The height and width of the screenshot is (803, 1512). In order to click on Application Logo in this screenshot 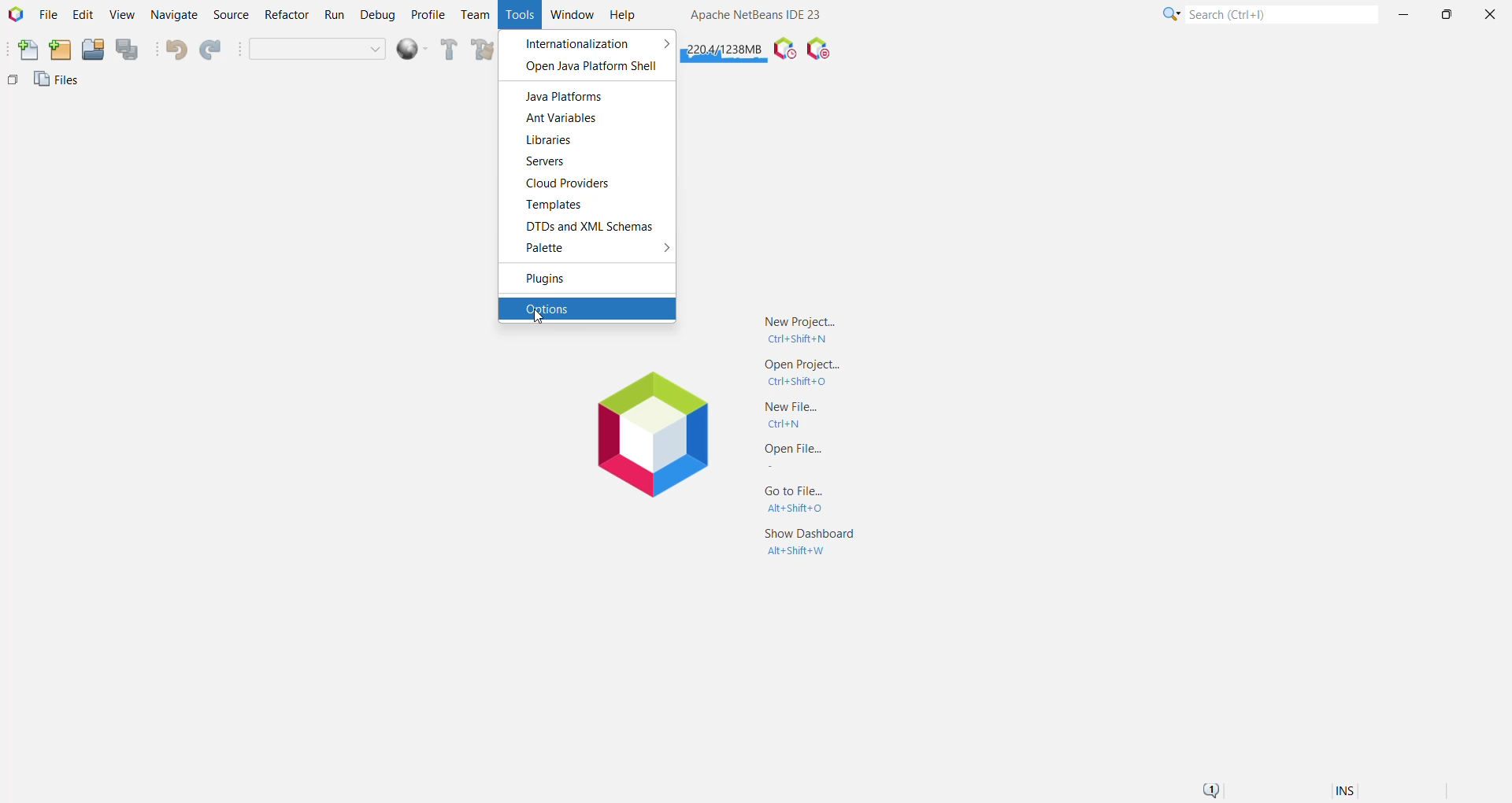, I will do `click(14, 15)`.